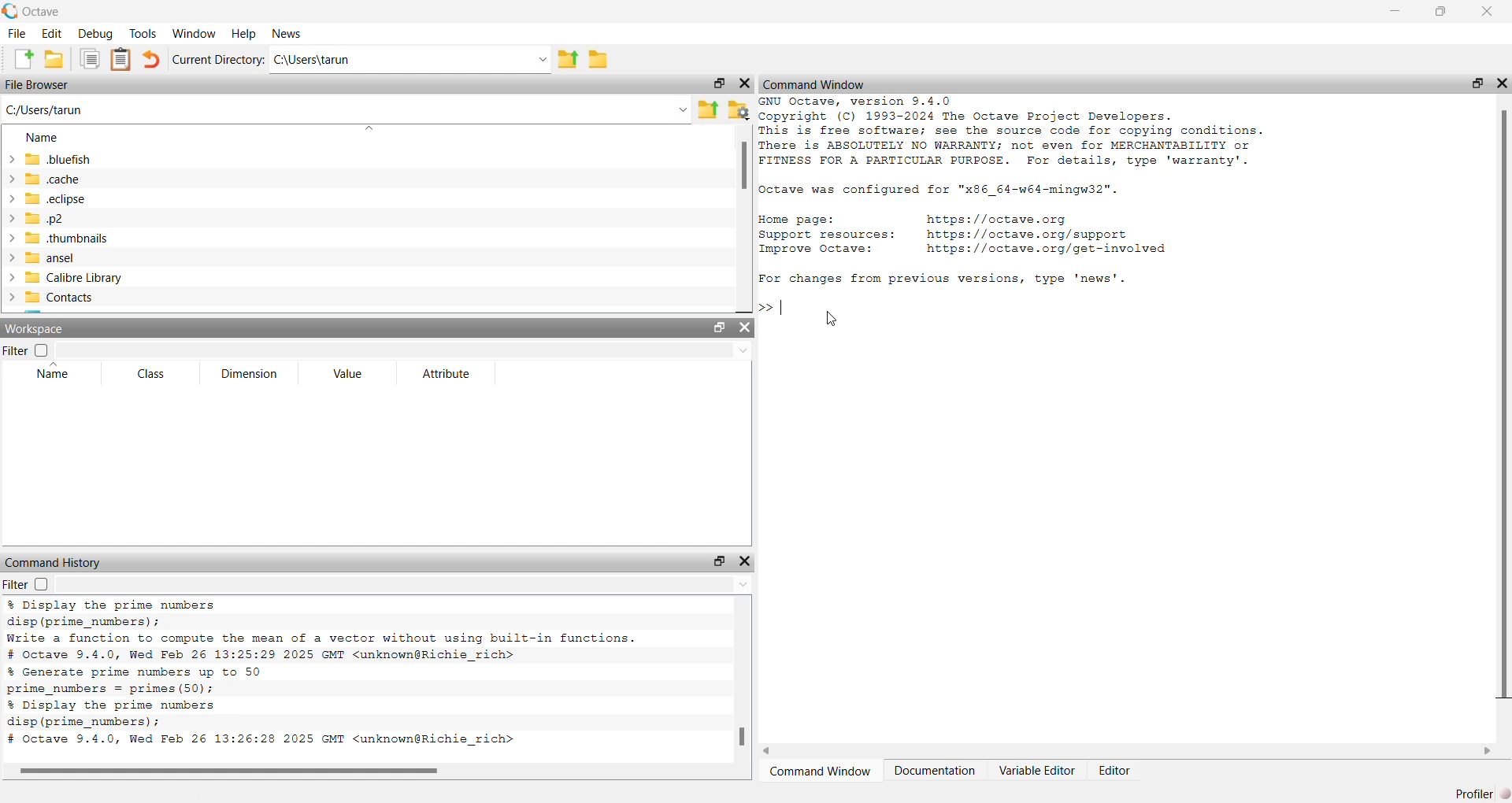 This screenshot has height=803, width=1512. Describe the element at coordinates (42, 138) in the screenshot. I see `Name` at that location.